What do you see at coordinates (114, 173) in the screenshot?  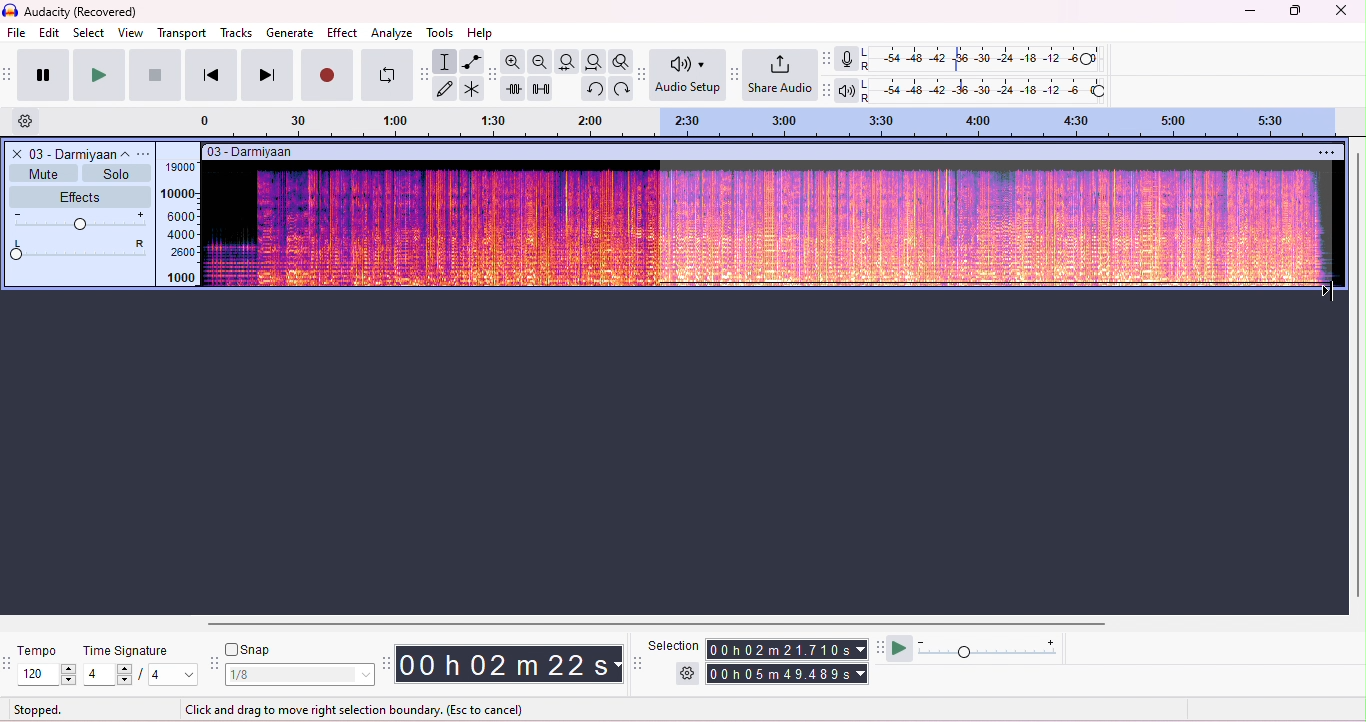 I see `solo` at bounding box center [114, 173].